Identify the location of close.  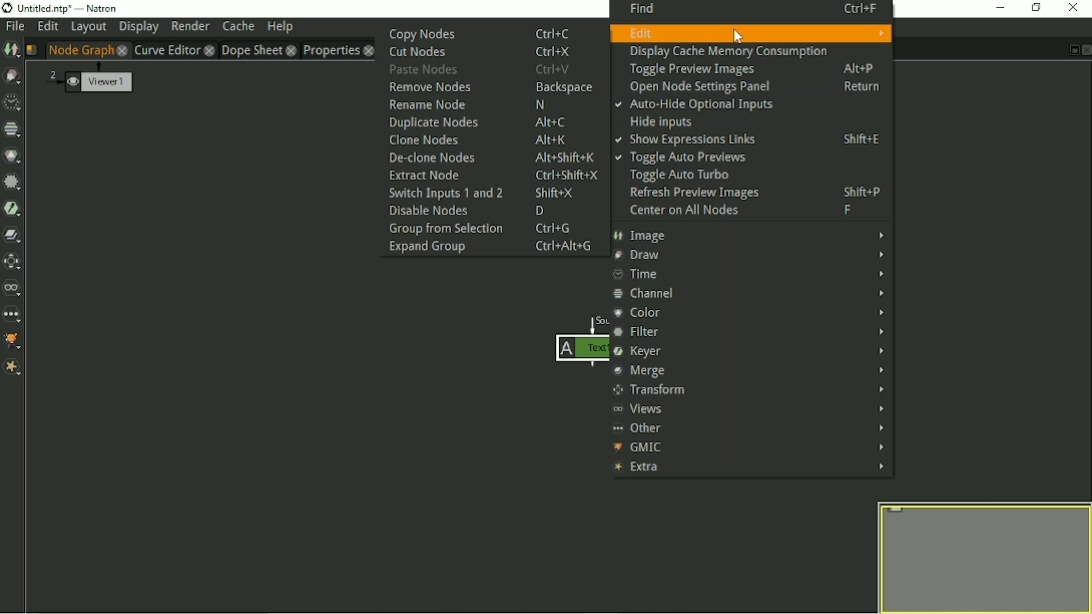
(292, 50).